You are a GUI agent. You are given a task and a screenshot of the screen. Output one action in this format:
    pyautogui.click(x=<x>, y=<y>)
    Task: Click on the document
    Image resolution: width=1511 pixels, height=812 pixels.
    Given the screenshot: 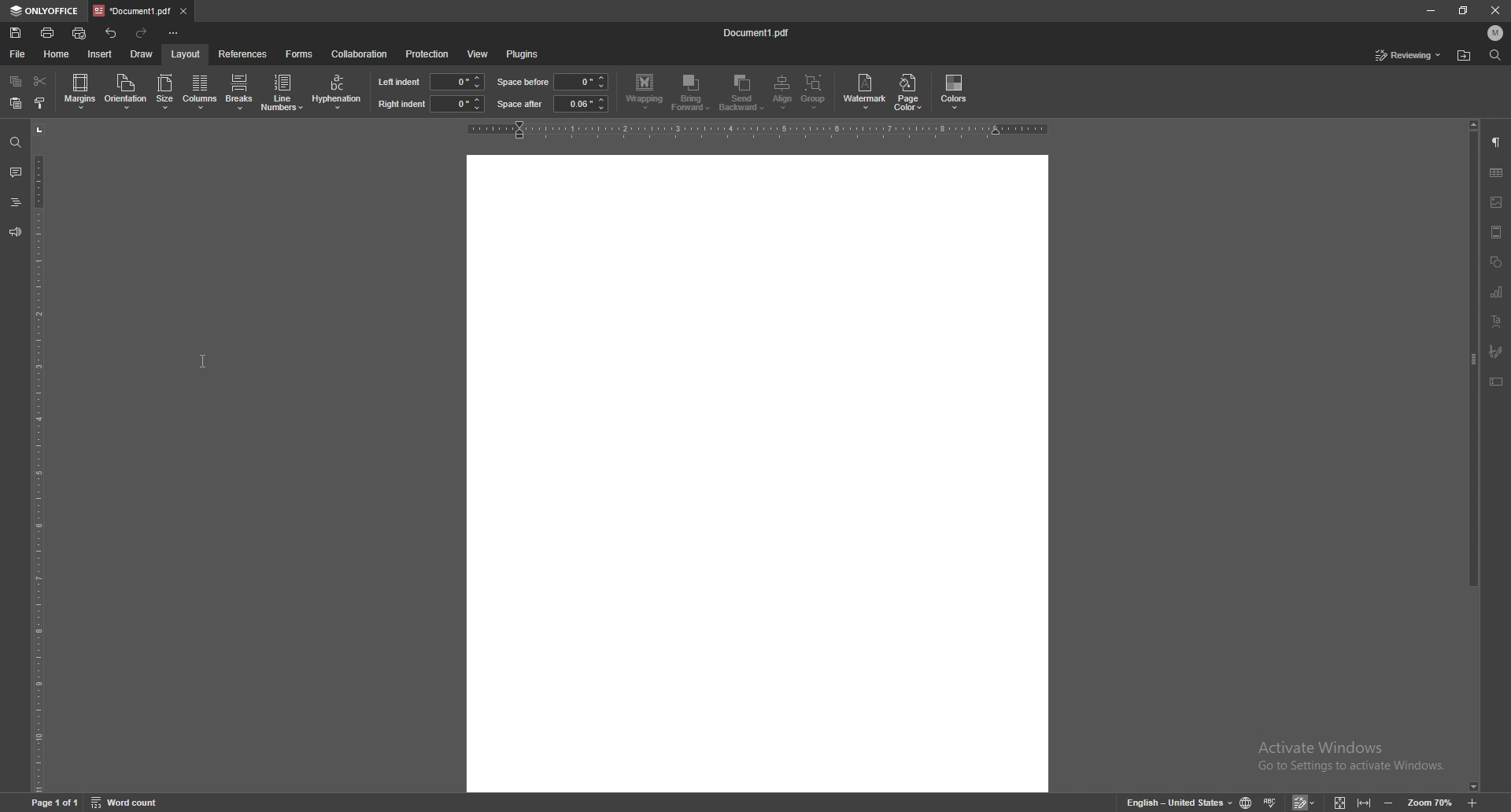 What is the action you would take?
    pyautogui.click(x=759, y=473)
    